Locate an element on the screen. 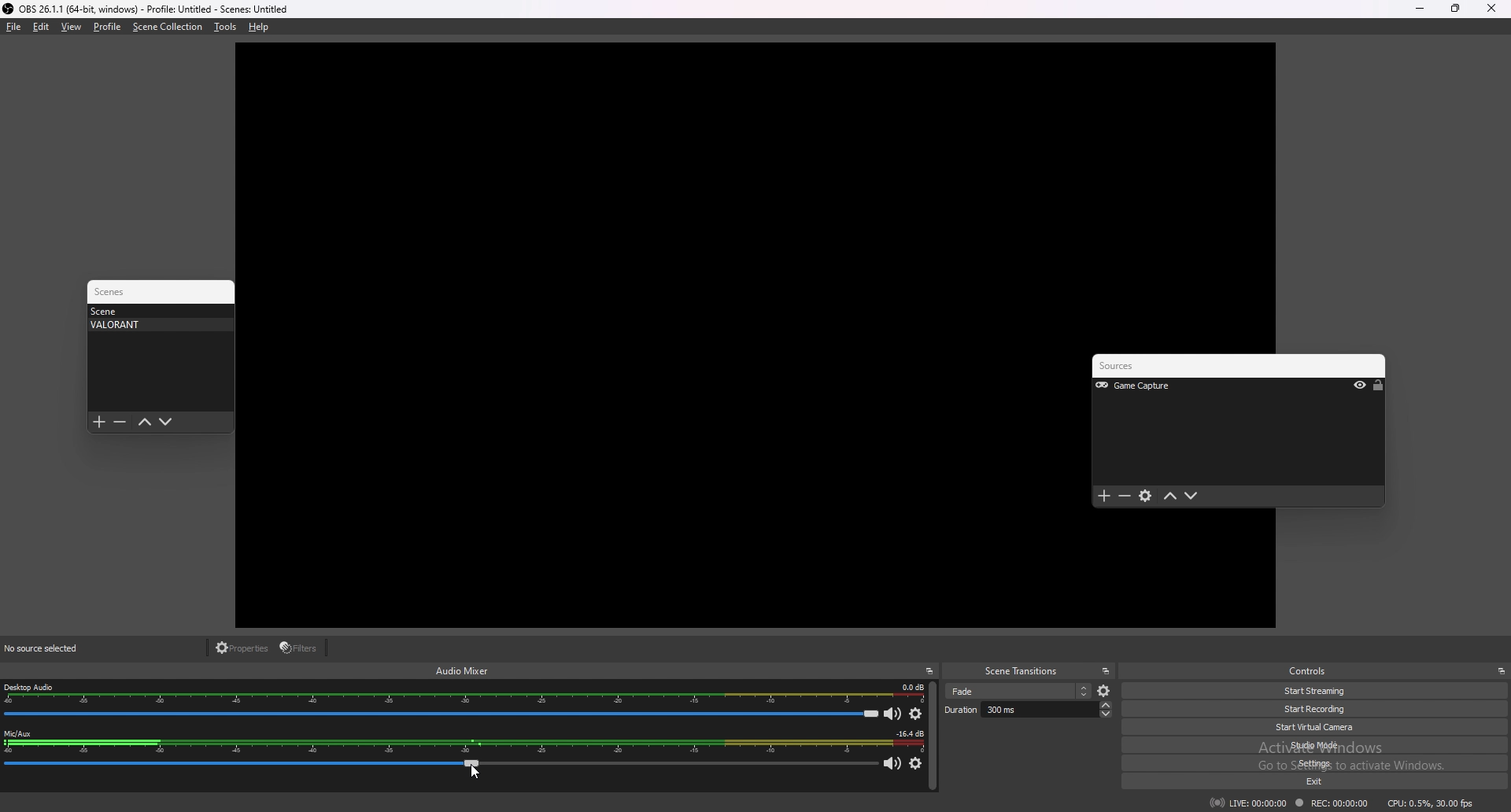 This screenshot has height=812, width=1511. desktop audio bar is located at coordinates (441, 714).